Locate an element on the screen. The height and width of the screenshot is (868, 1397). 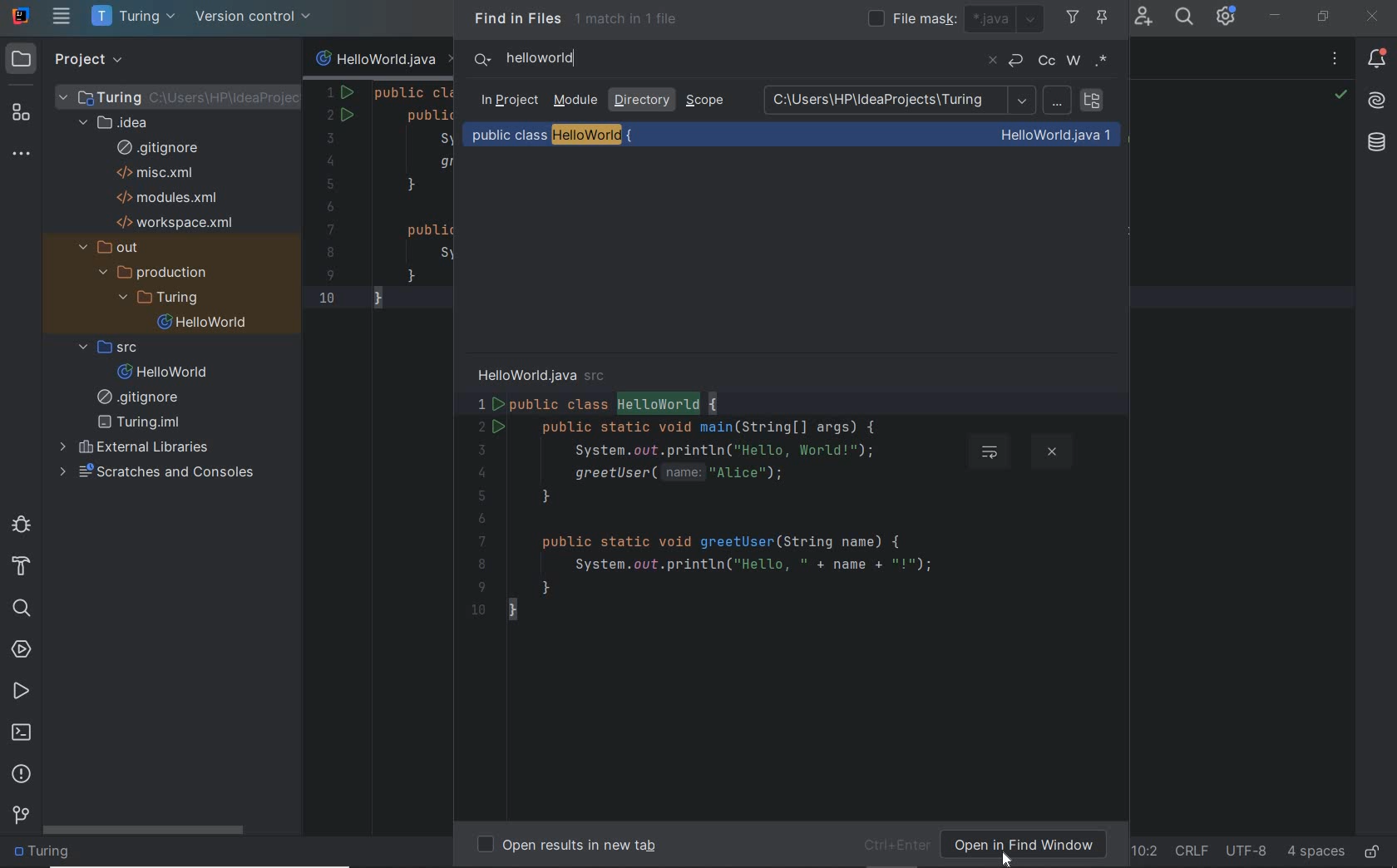
structure is located at coordinates (23, 114).